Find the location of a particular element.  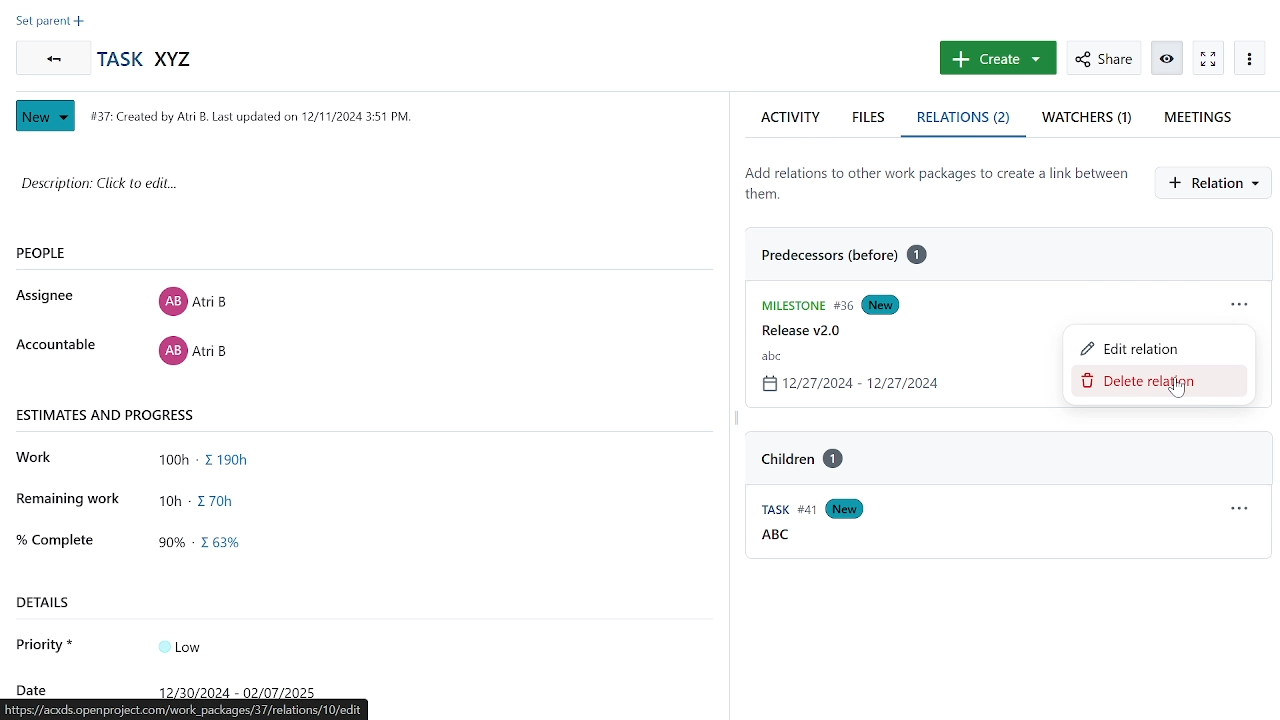

total work is located at coordinates (210, 461).